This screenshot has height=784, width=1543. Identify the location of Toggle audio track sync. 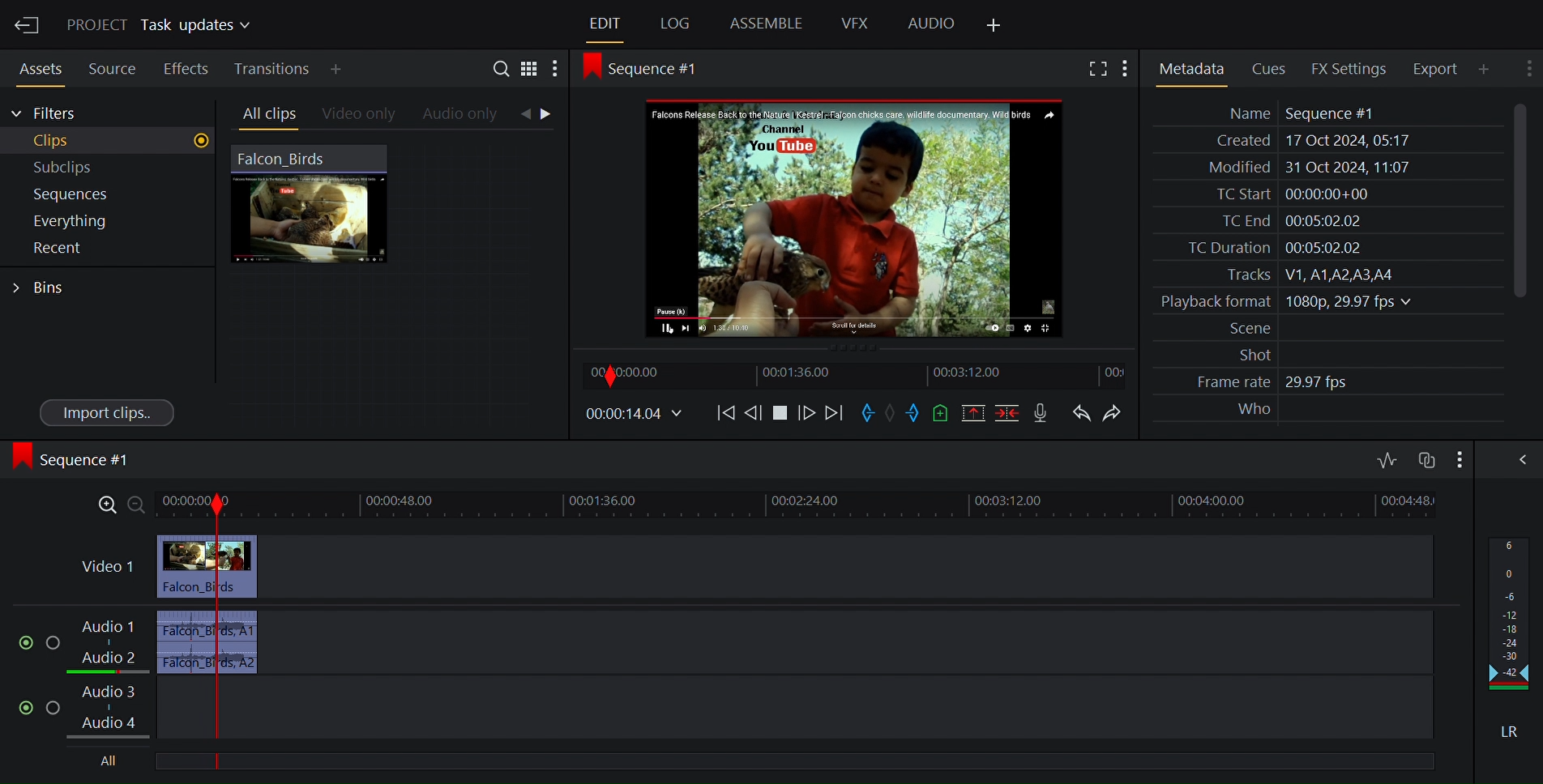
(1425, 458).